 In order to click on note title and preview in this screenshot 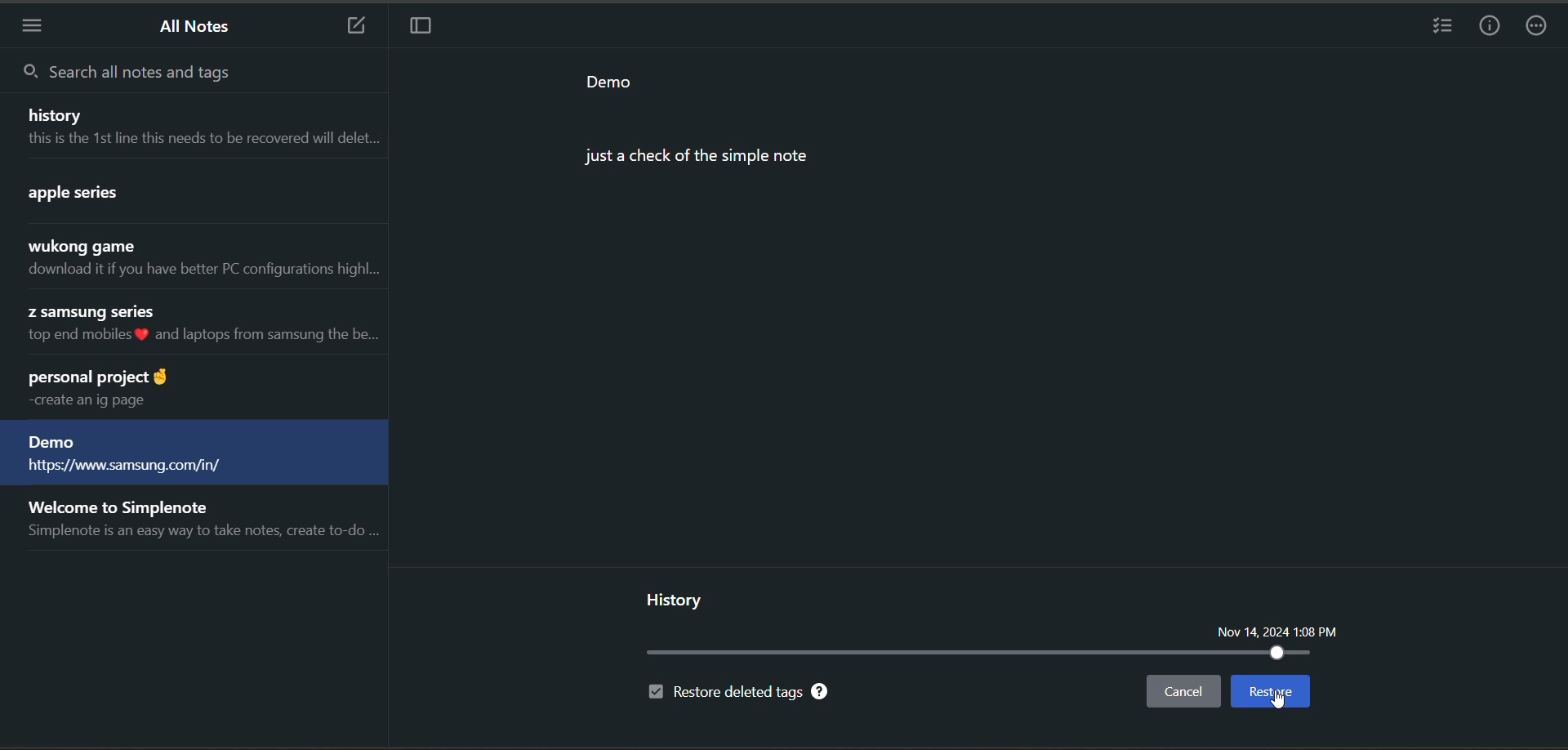, I will do `click(195, 194)`.